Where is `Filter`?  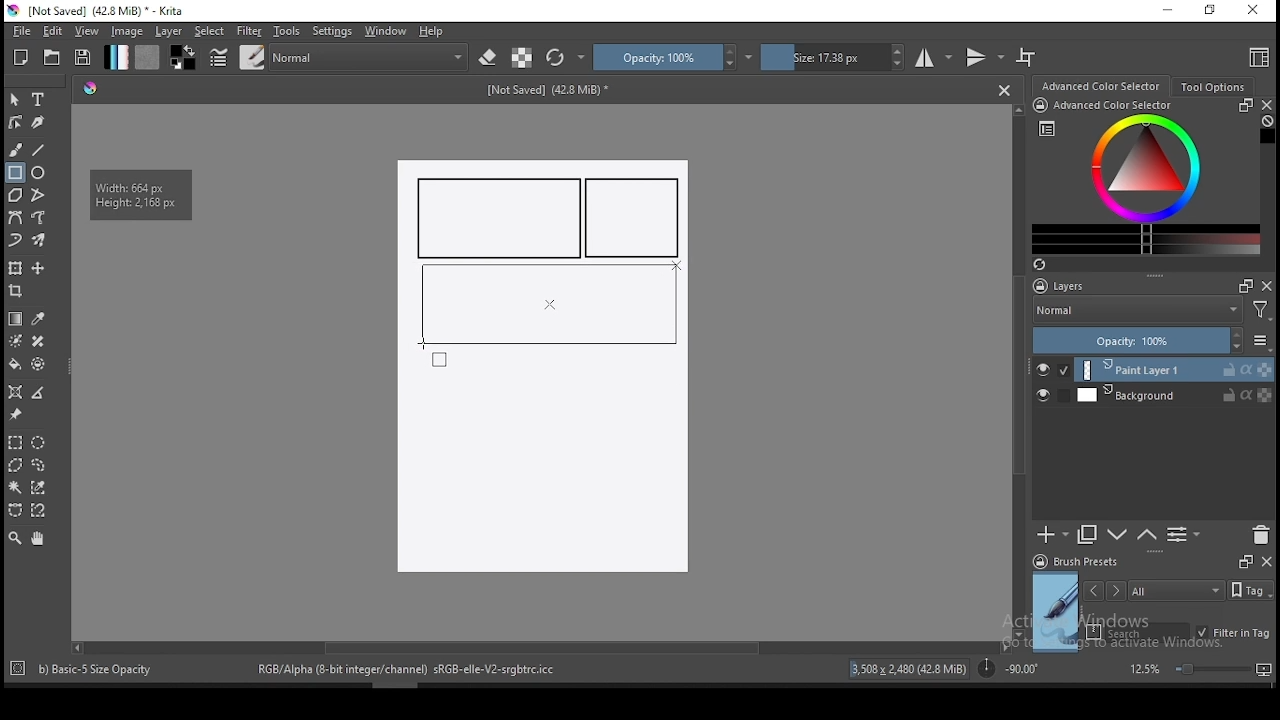 Filter is located at coordinates (1261, 313).